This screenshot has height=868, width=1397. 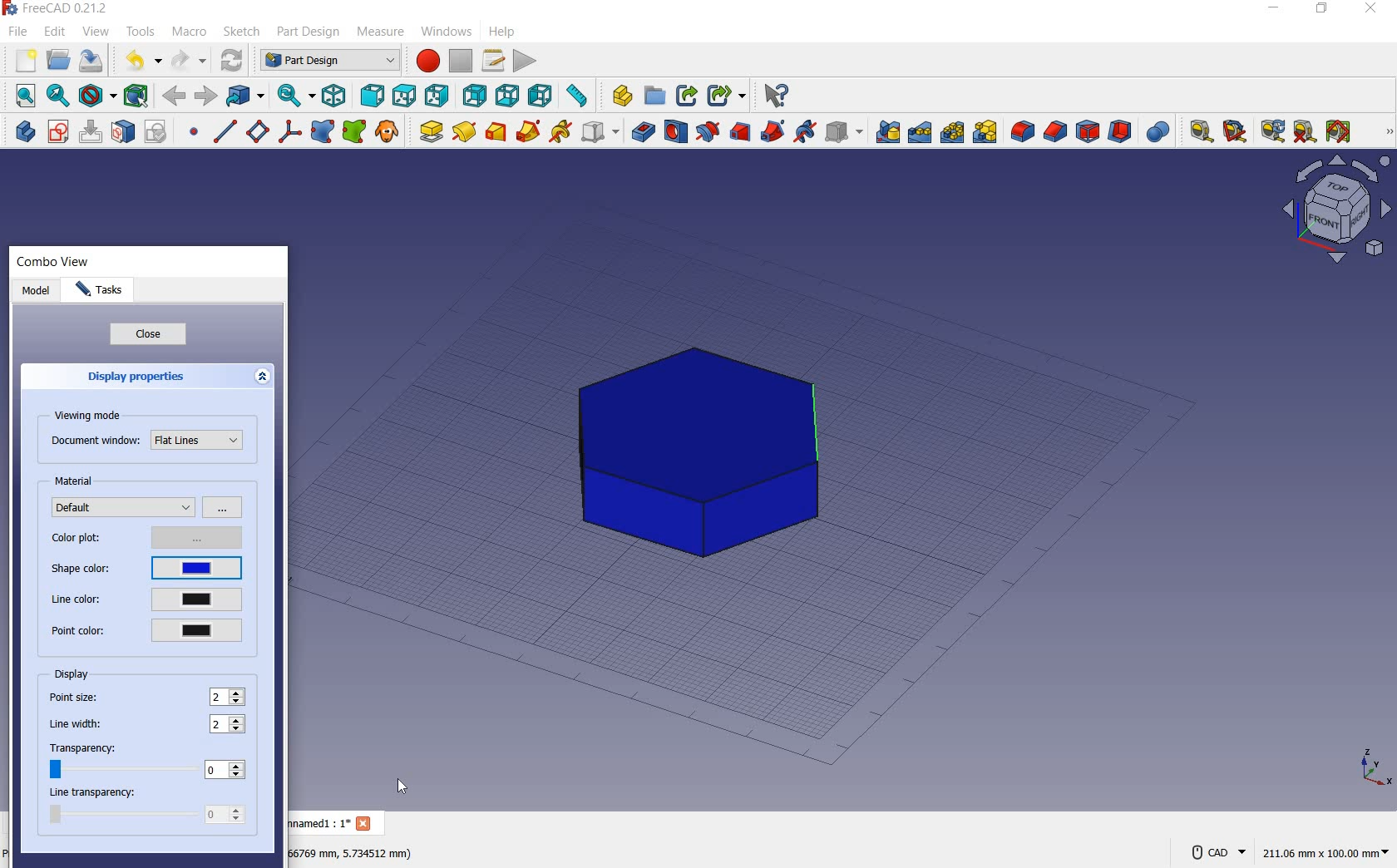 What do you see at coordinates (600, 131) in the screenshot?
I see `create an additive primitive` at bounding box center [600, 131].